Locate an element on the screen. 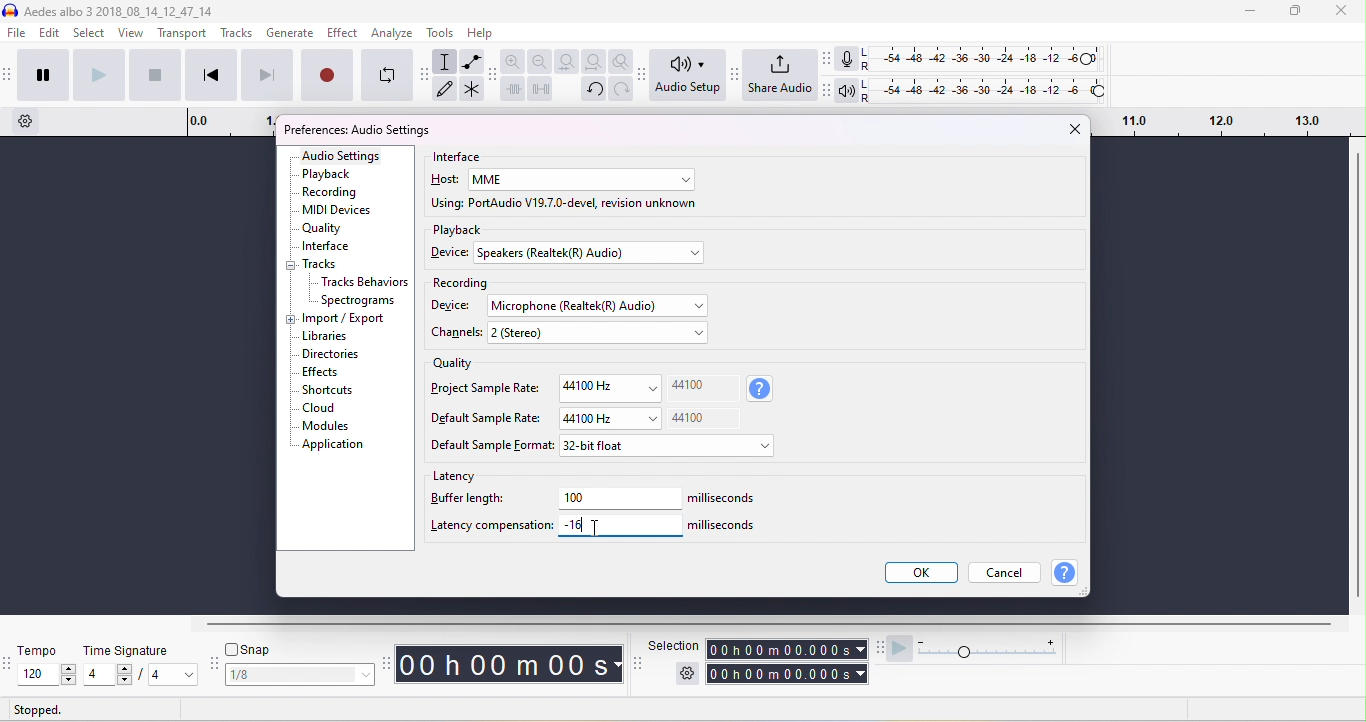 The image size is (1366, 722). help is located at coordinates (480, 32).